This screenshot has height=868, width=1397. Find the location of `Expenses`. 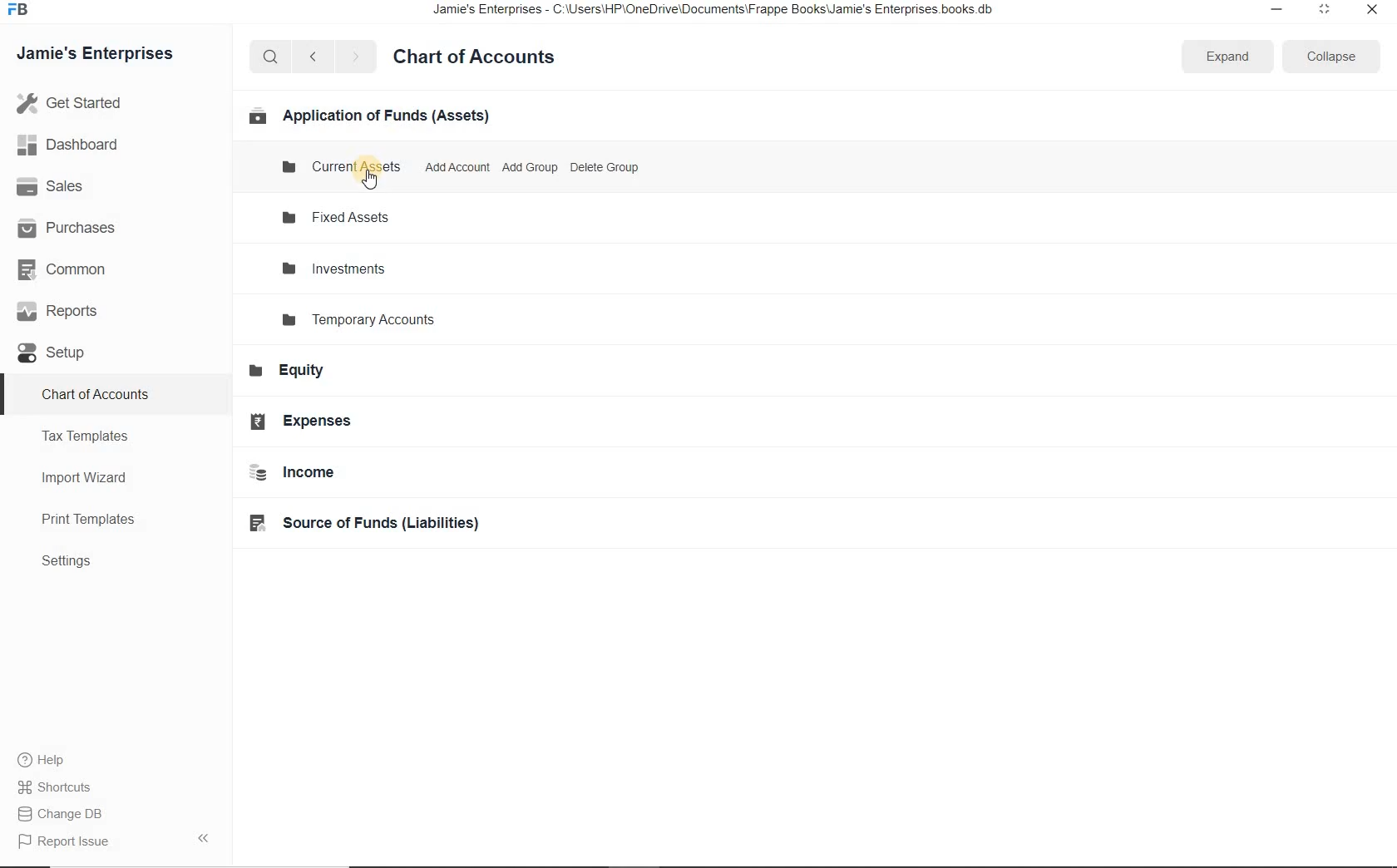

Expenses is located at coordinates (307, 422).